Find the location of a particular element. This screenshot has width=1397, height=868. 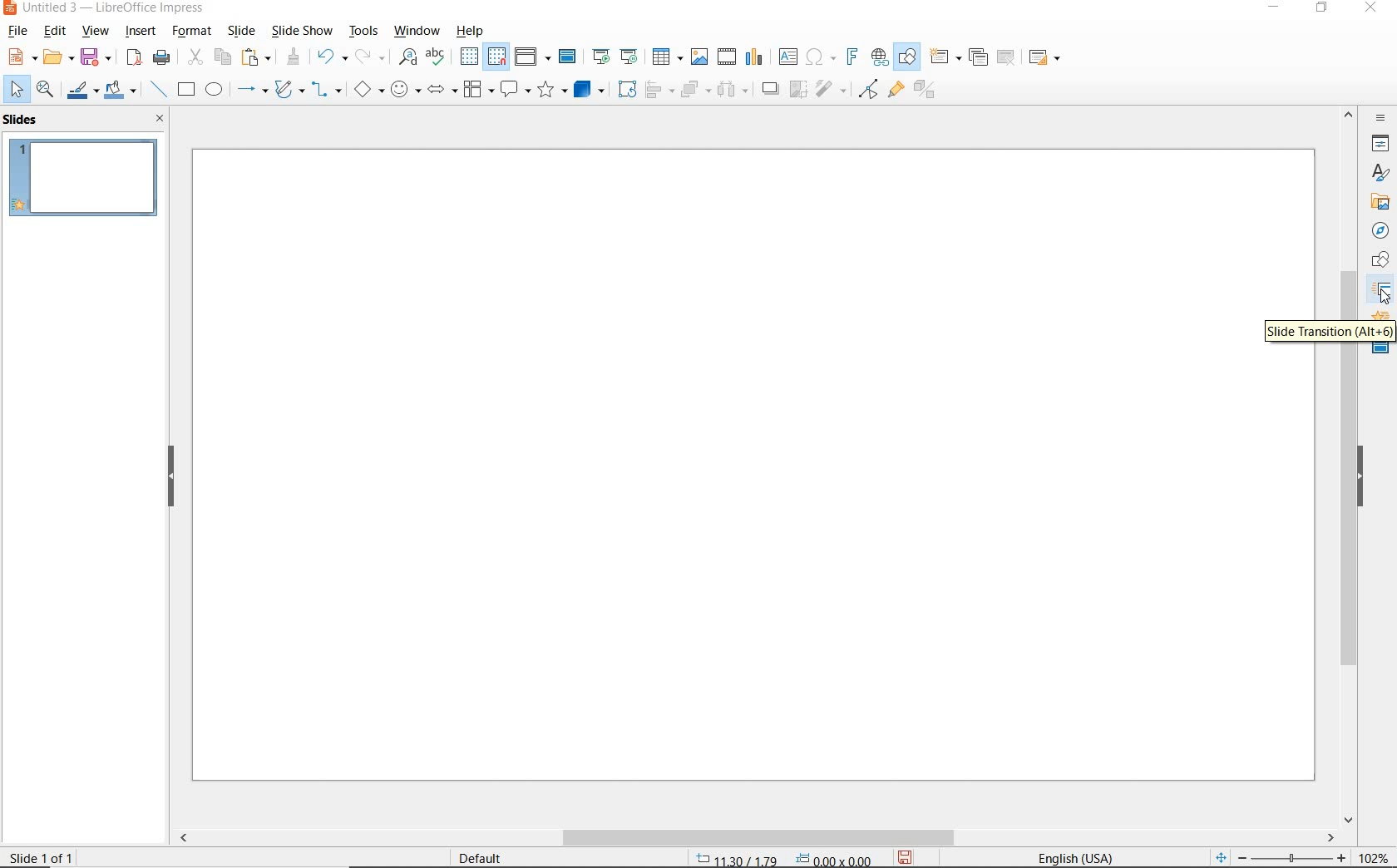

NEW SLIDE is located at coordinates (945, 57).